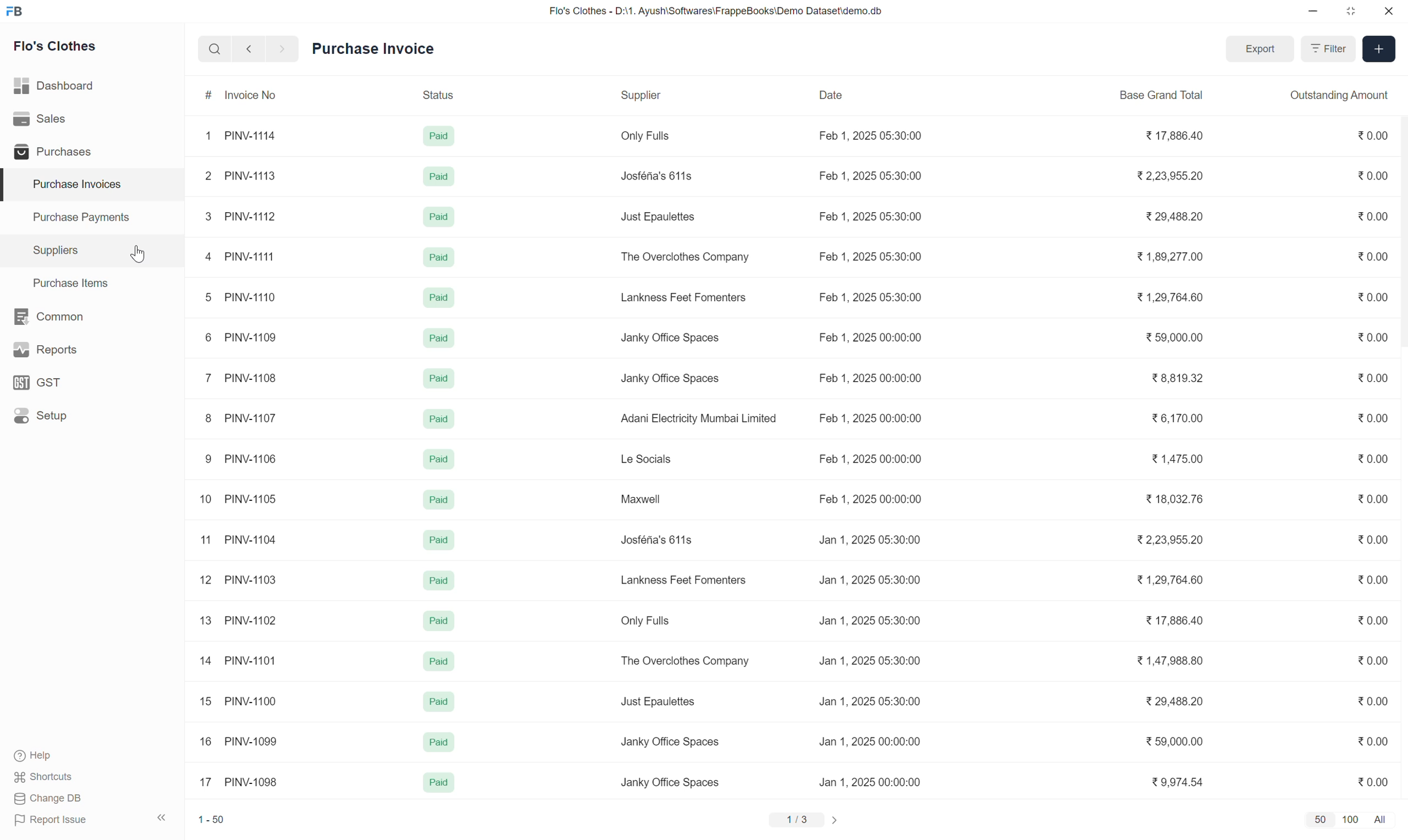 Image resolution: width=1408 pixels, height=840 pixels. Describe the element at coordinates (1371, 620) in the screenshot. I see `0.00` at that location.